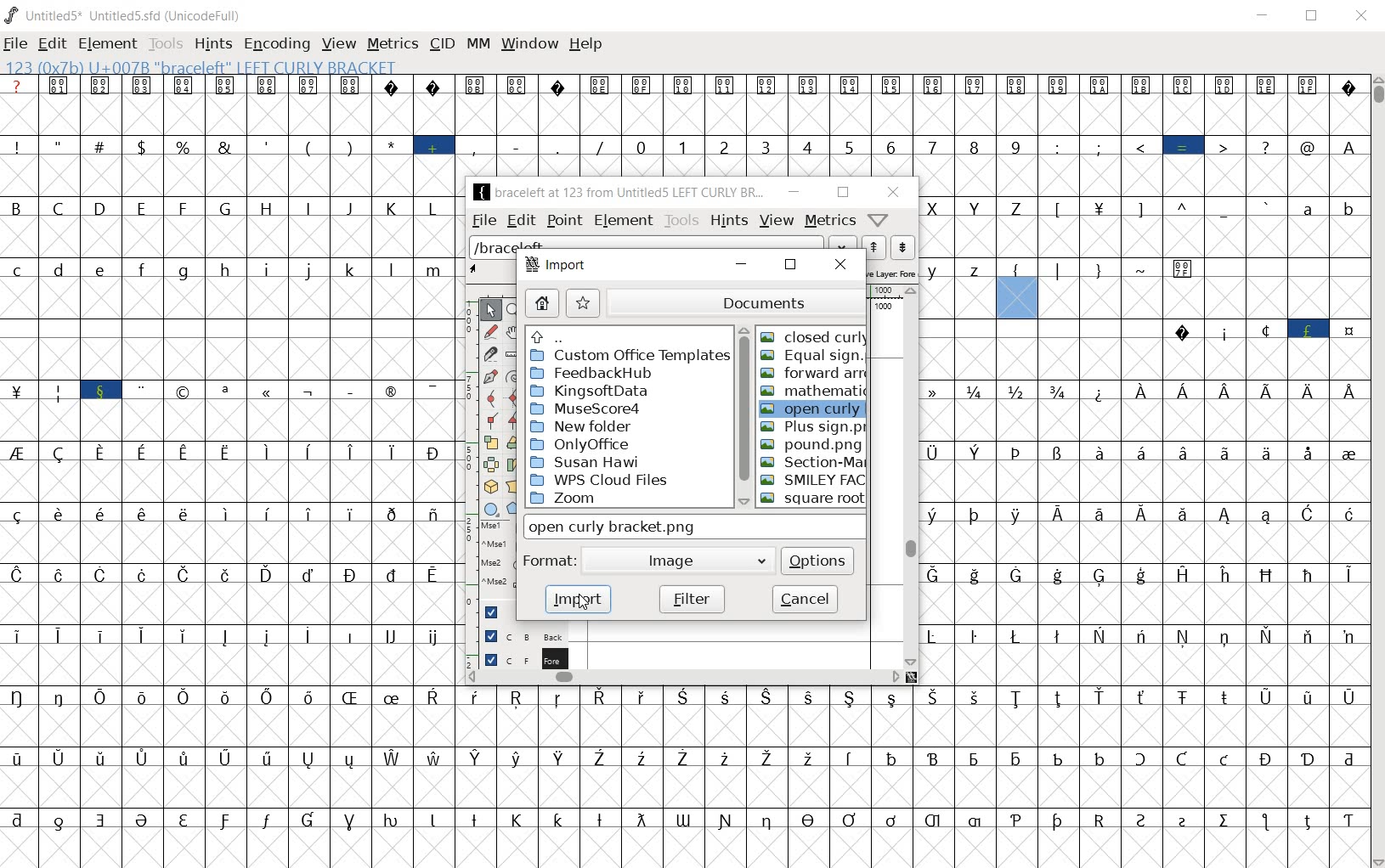  I want to click on filter, so click(691, 598).